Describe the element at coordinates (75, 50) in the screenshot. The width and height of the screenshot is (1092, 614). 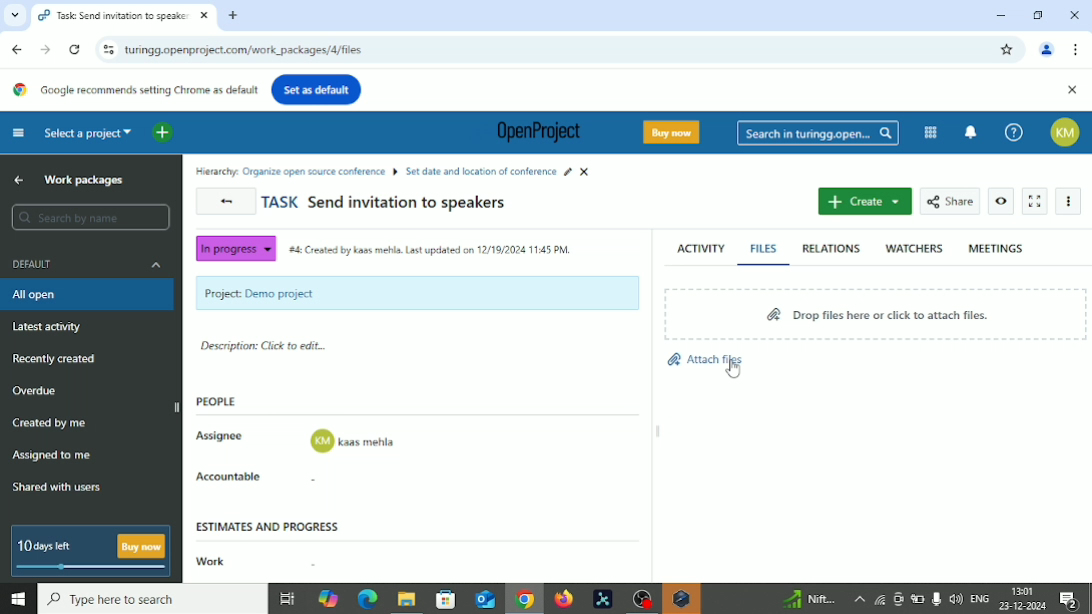
I see `Reload this page` at that location.